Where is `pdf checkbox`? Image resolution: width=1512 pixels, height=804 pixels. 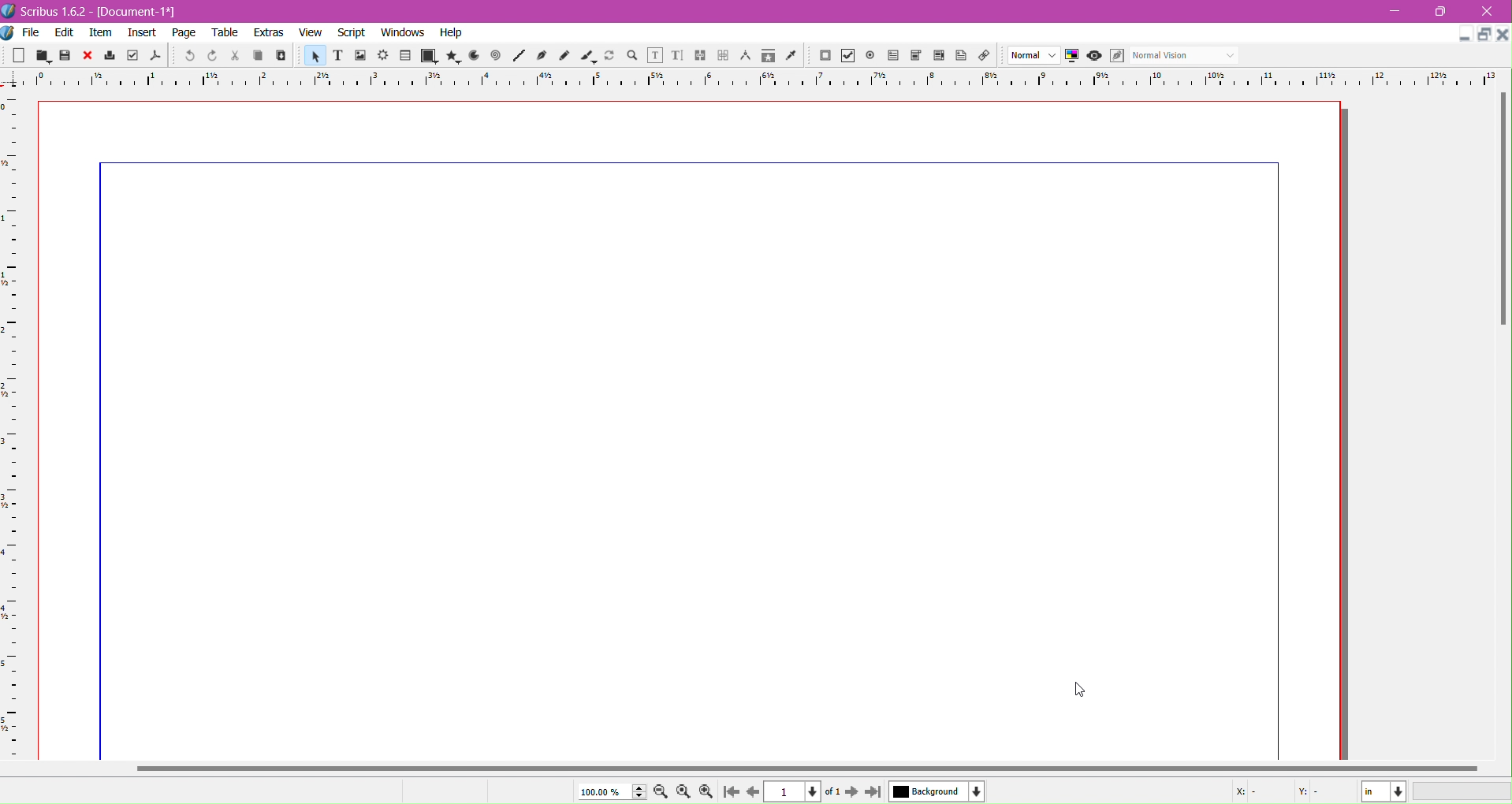 pdf checkbox is located at coordinates (892, 56).